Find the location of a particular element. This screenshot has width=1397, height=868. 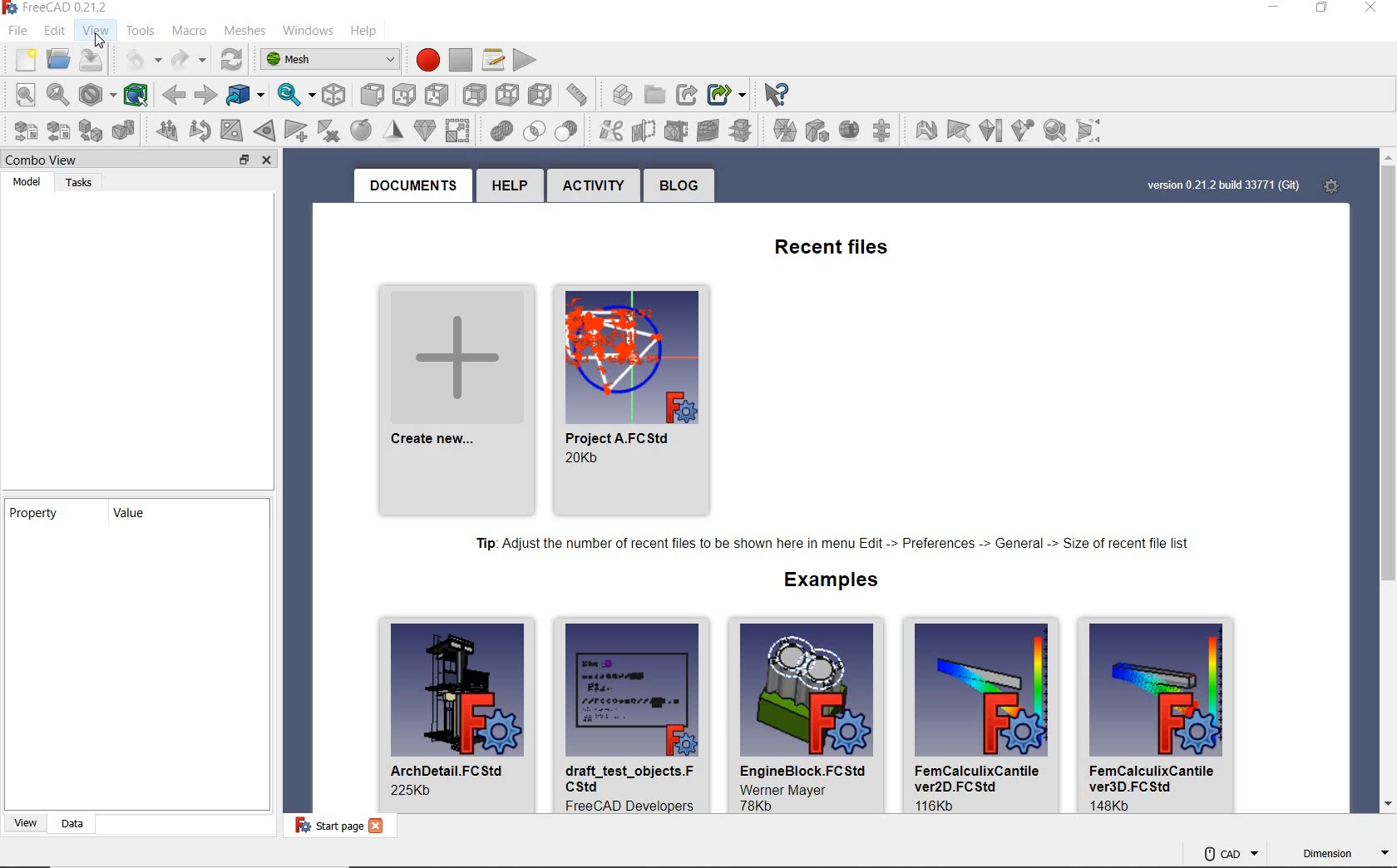

make link is located at coordinates (659, 93).